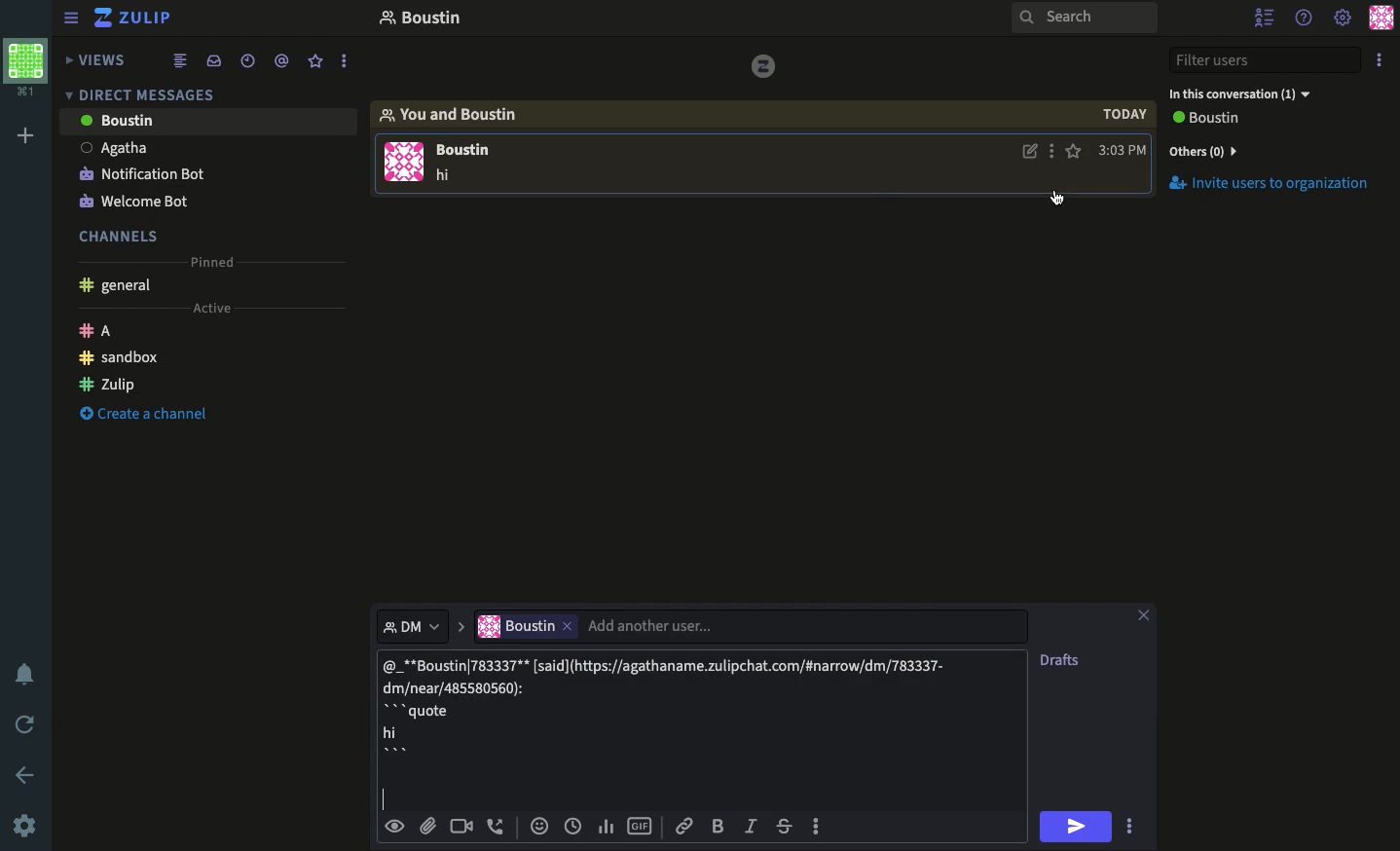 This screenshot has width=1400, height=851. Describe the element at coordinates (1273, 150) in the screenshot. I see `Invite users to organization` at that location.